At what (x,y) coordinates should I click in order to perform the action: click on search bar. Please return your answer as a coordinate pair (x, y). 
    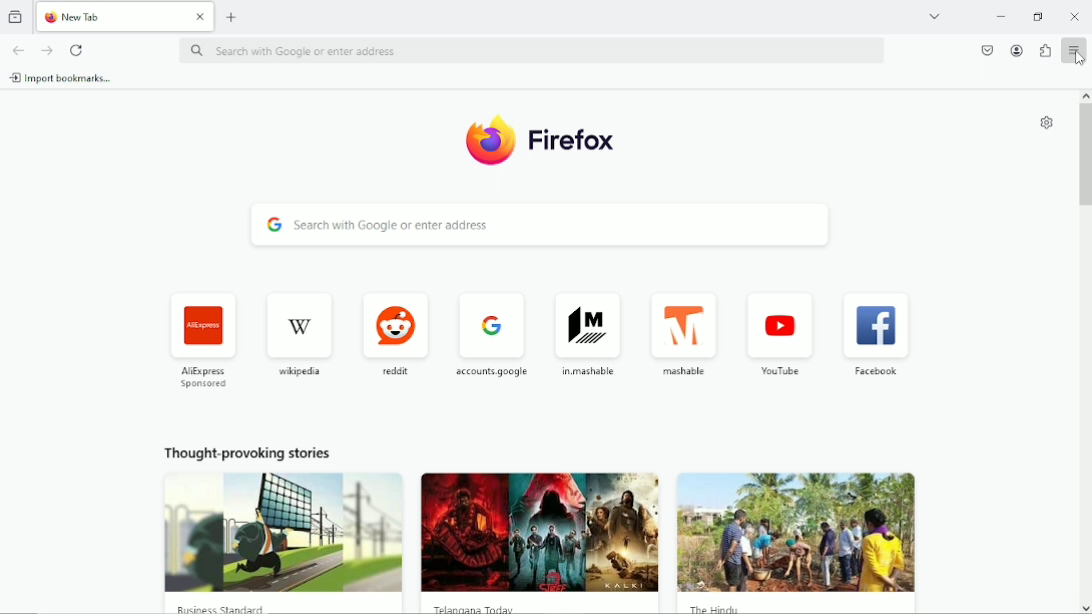
    Looking at the image, I should click on (534, 49).